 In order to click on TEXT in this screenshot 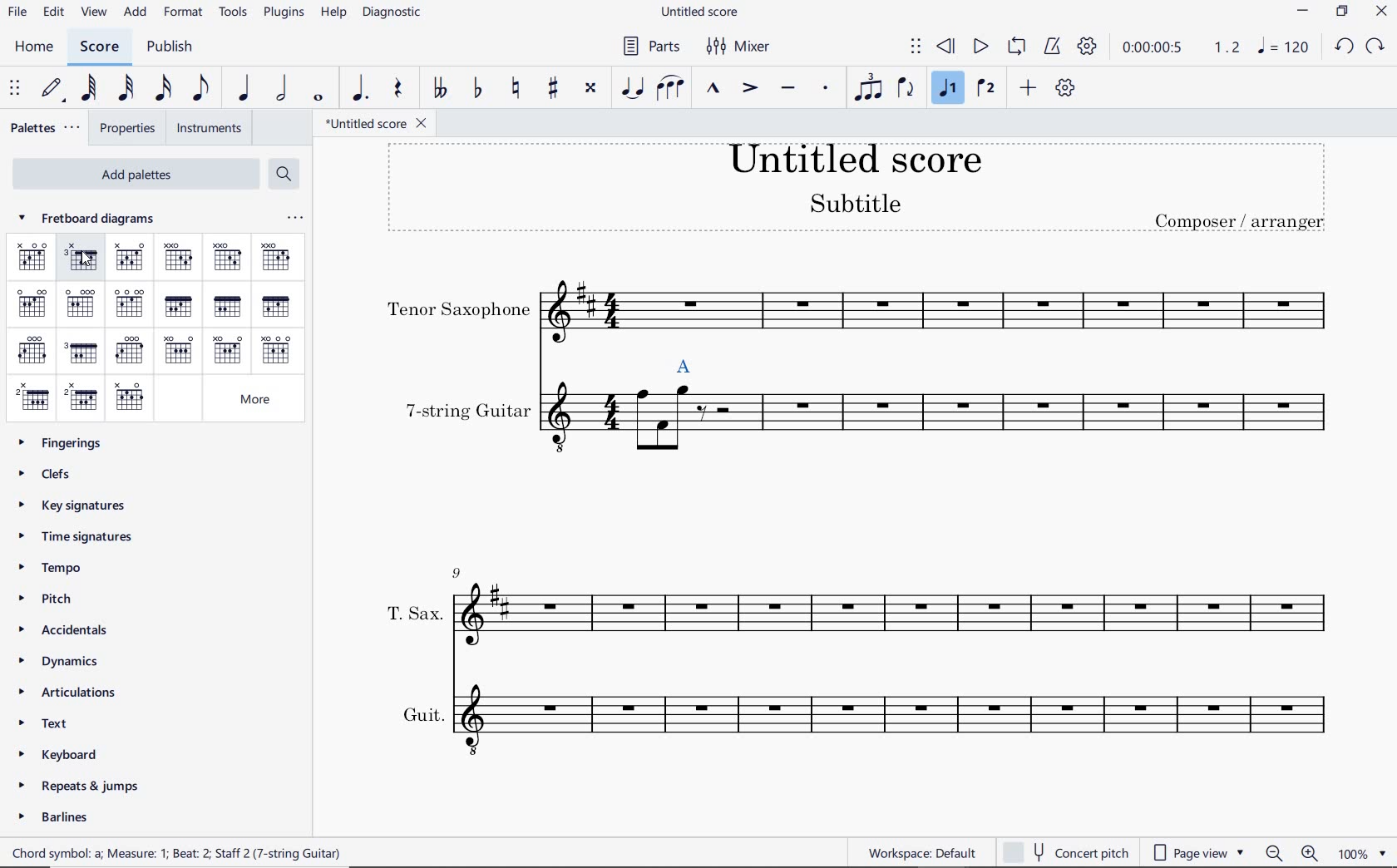, I will do `click(56, 723)`.